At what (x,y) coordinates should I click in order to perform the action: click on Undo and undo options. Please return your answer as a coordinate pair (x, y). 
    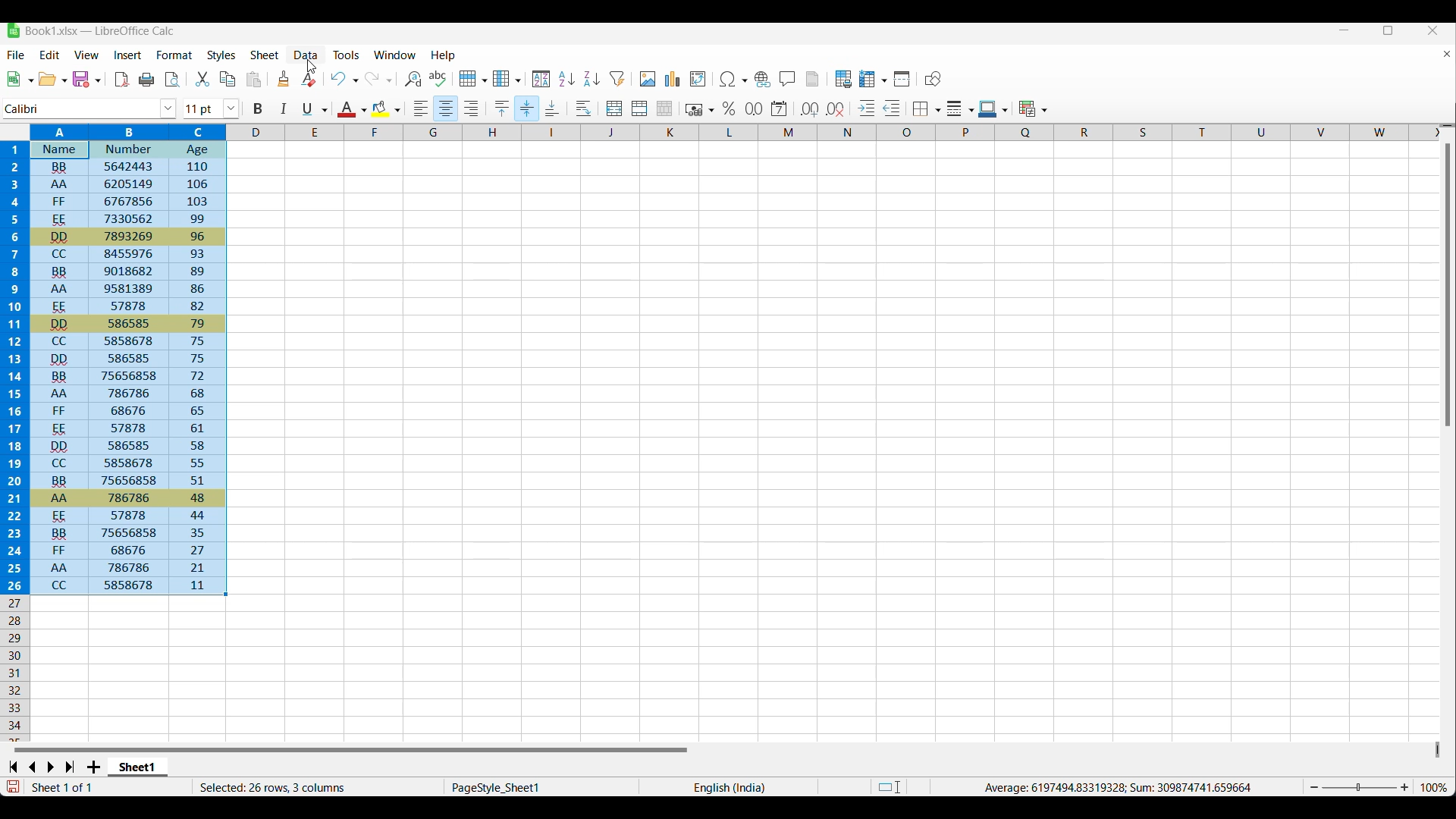
    Looking at the image, I should click on (344, 78).